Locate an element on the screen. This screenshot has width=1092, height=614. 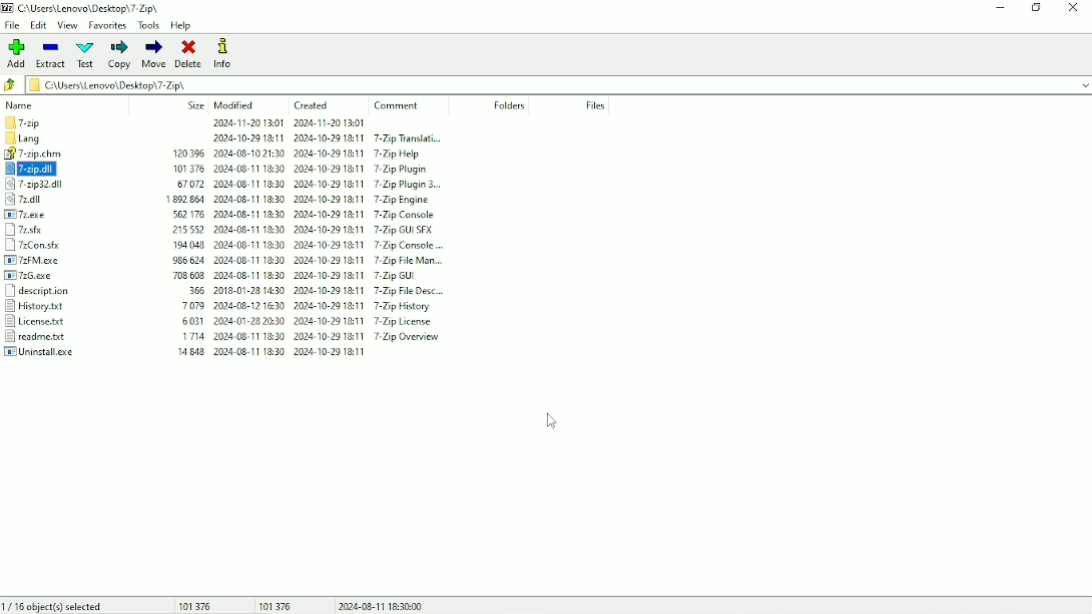
7-zip.dll is located at coordinates (50, 170).